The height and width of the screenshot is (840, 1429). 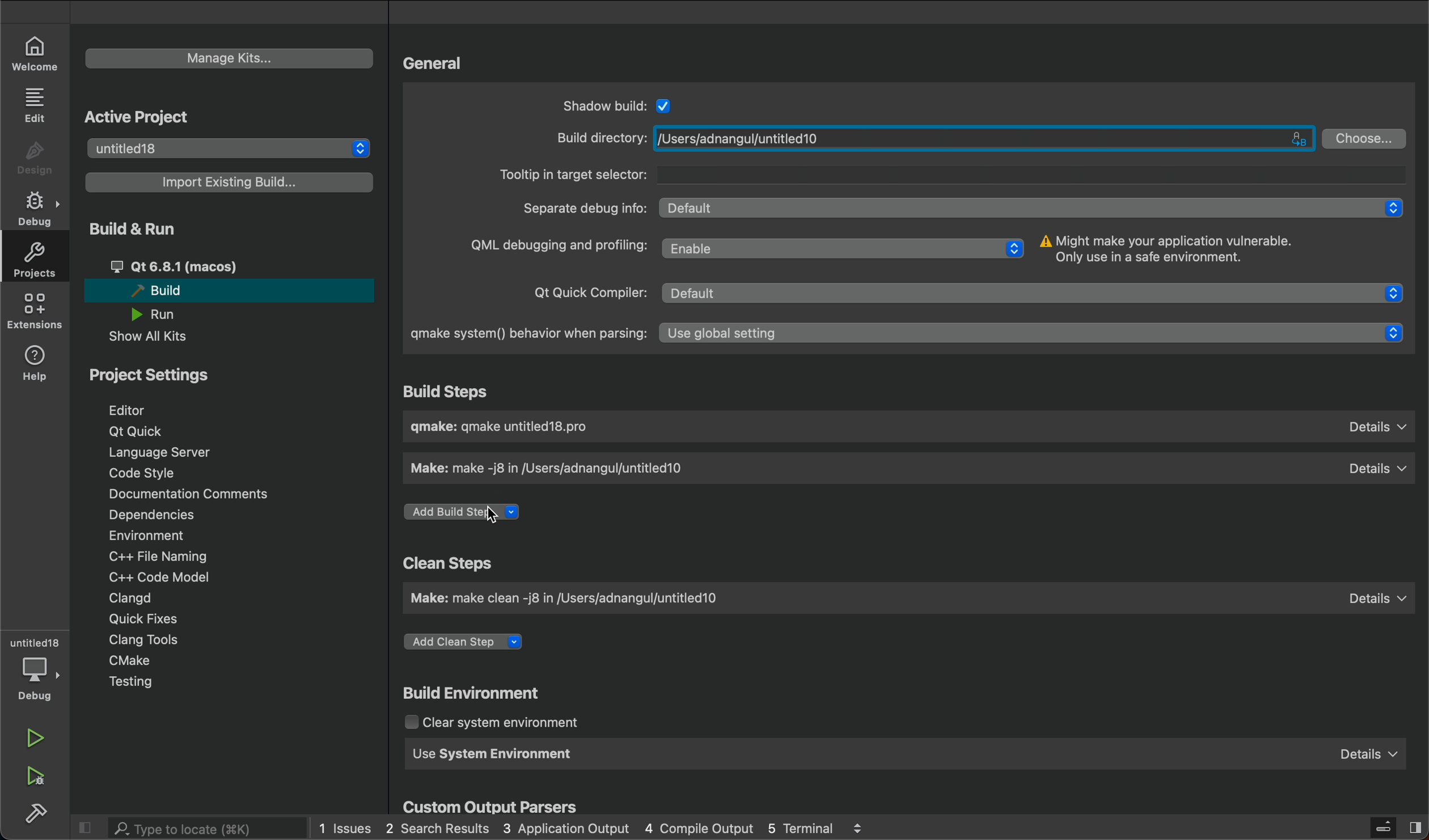 What do you see at coordinates (35, 53) in the screenshot?
I see `welcome` at bounding box center [35, 53].